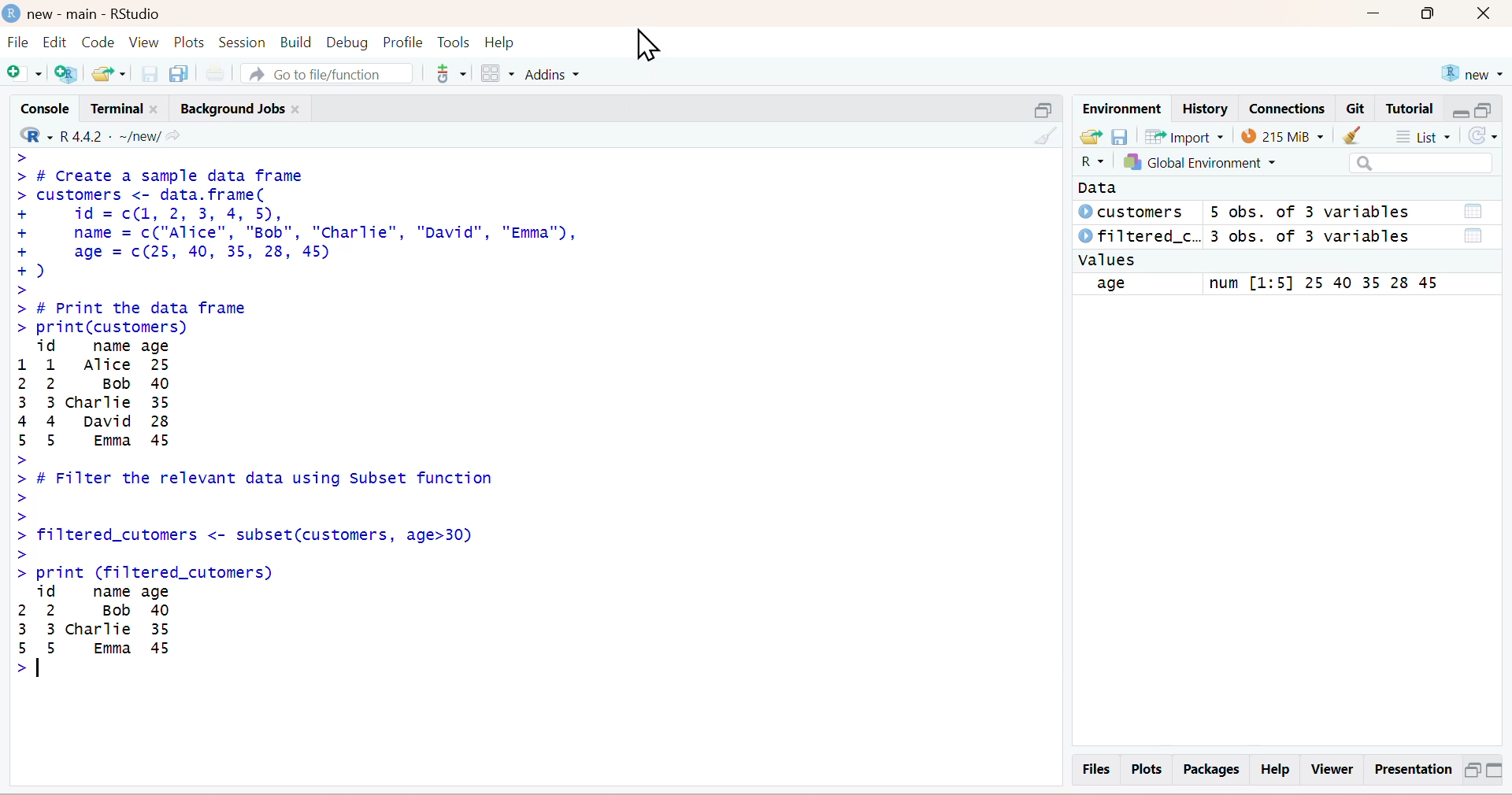  Describe the element at coordinates (243, 105) in the screenshot. I see `Background Jobs` at that location.